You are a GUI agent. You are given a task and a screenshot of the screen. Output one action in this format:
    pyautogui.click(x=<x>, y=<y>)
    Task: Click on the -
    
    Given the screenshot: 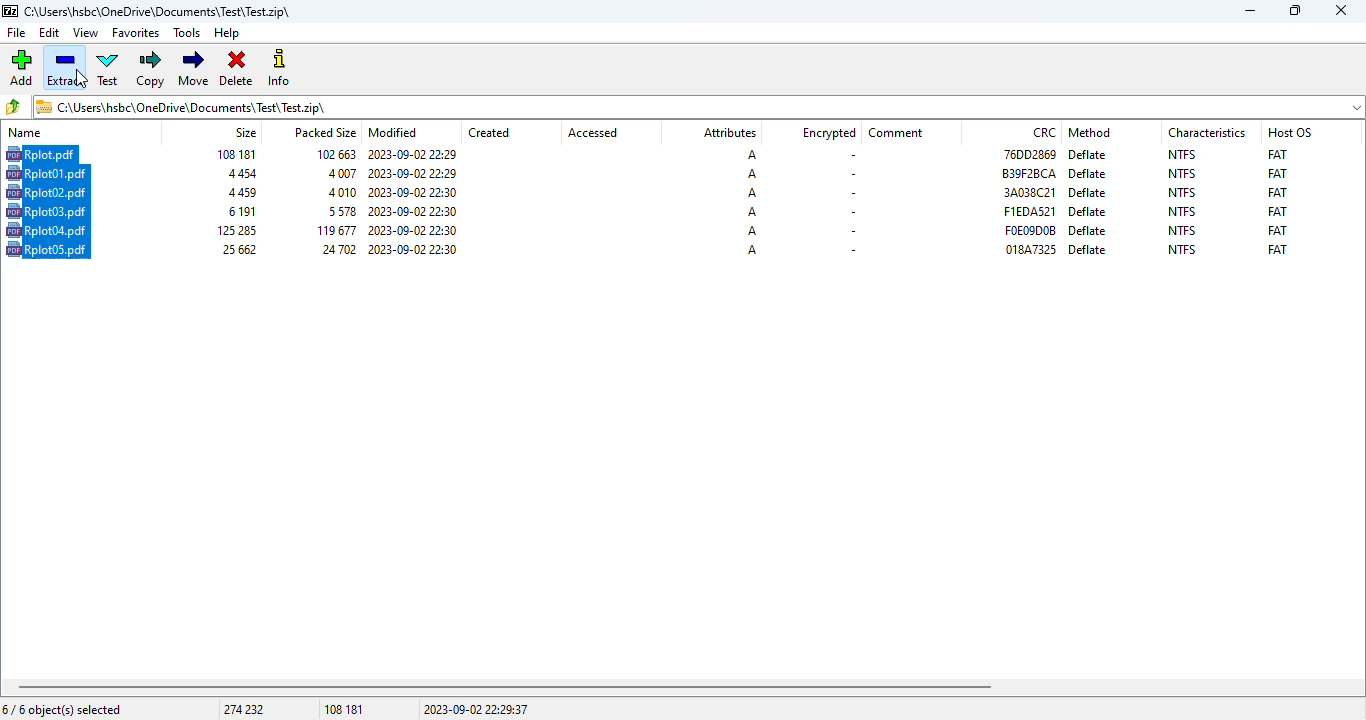 What is the action you would take?
    pyautogui.click(x=851, y=251)
    